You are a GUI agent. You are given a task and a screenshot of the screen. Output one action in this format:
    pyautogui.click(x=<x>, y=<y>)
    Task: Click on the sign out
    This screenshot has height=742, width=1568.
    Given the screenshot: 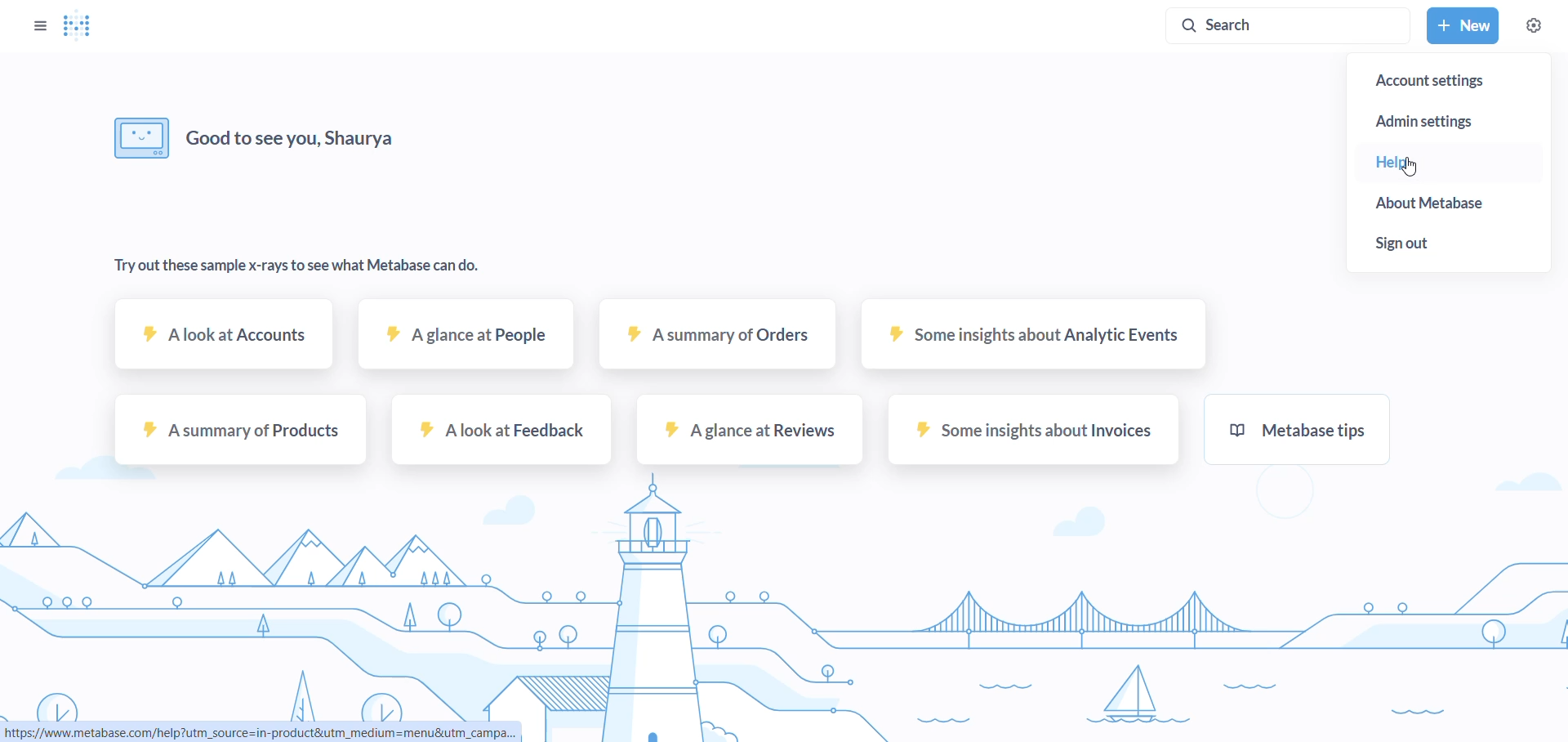 What is the action you would take?
    pyautogui.click(x=1448, y=244)
    